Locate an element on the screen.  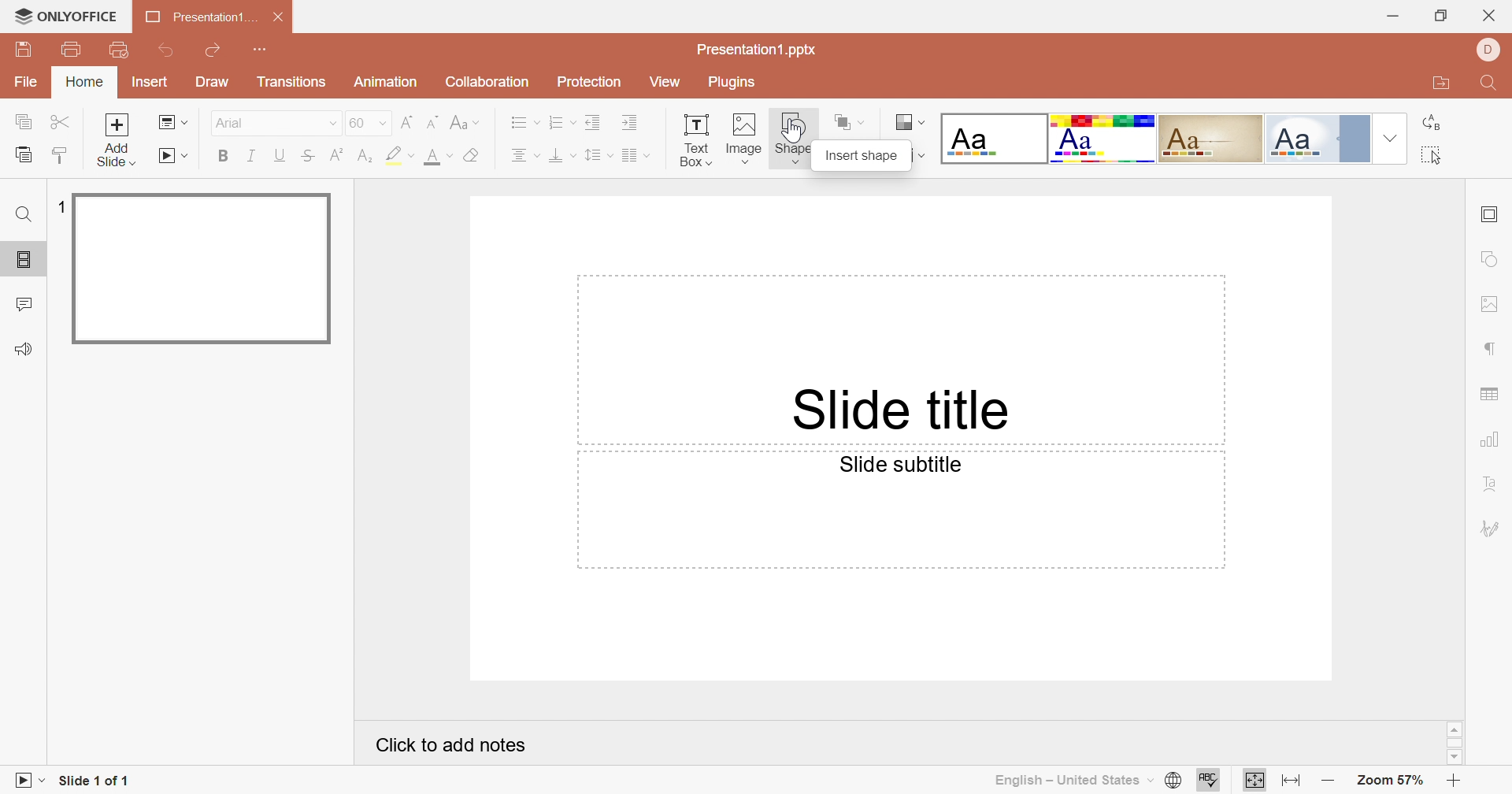
Horizontal align is located at coordinates (524, 156).